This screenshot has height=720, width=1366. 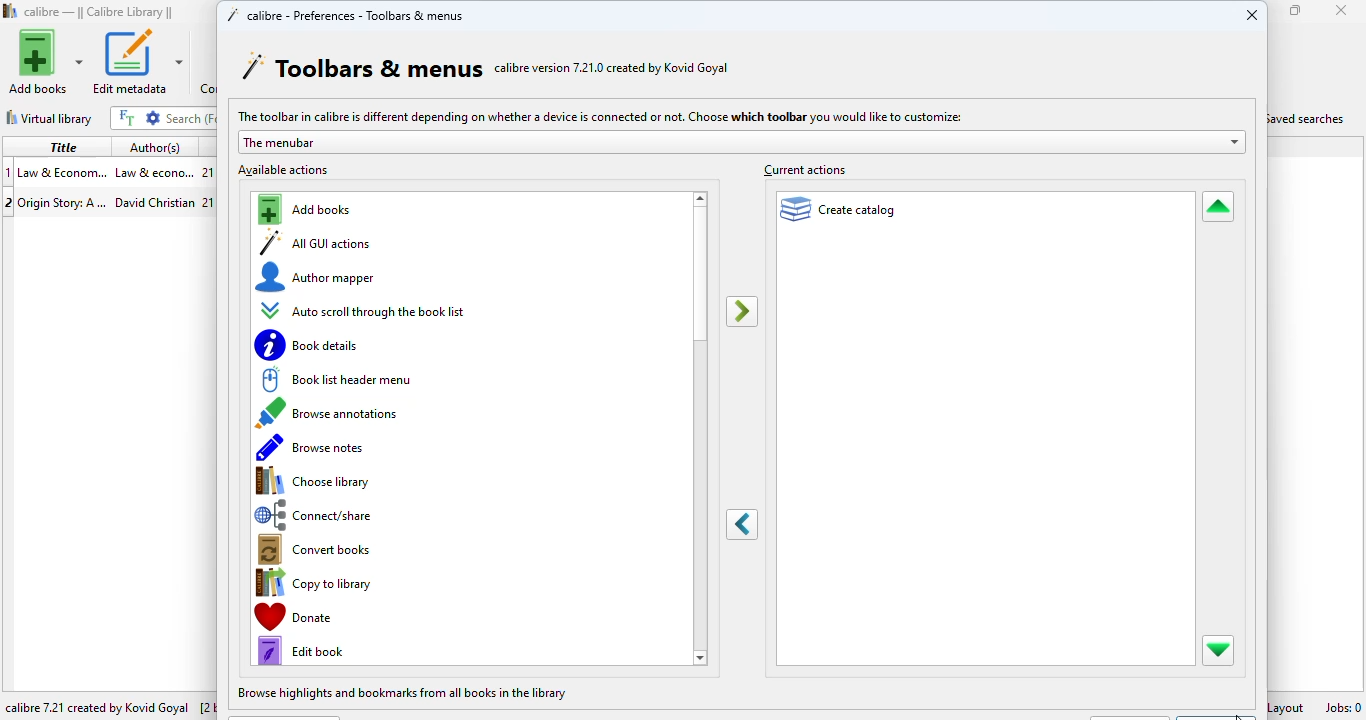 I want to click on convert books, so click(x=319, y=551).